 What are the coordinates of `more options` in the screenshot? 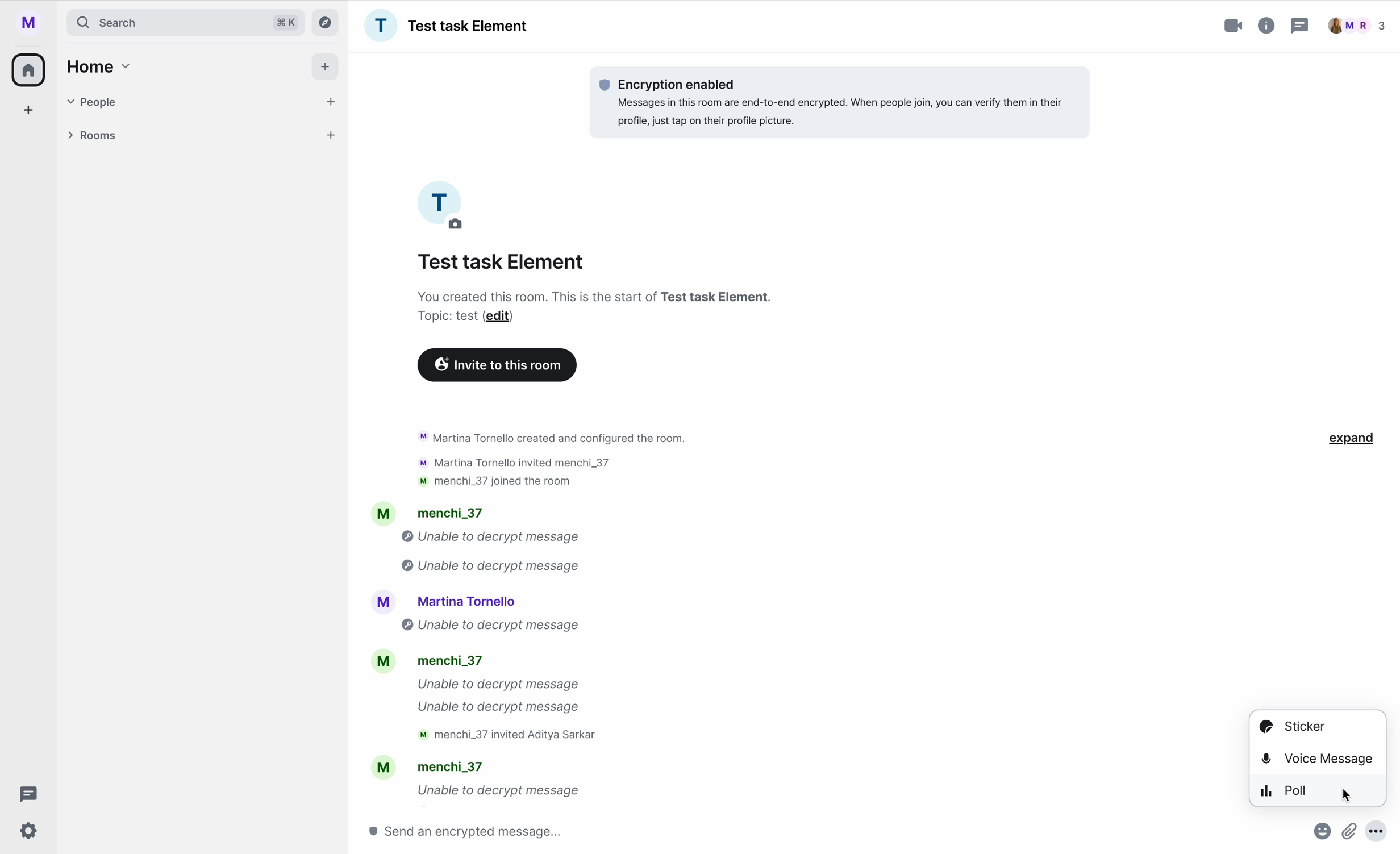 It's located at (1382, 836).